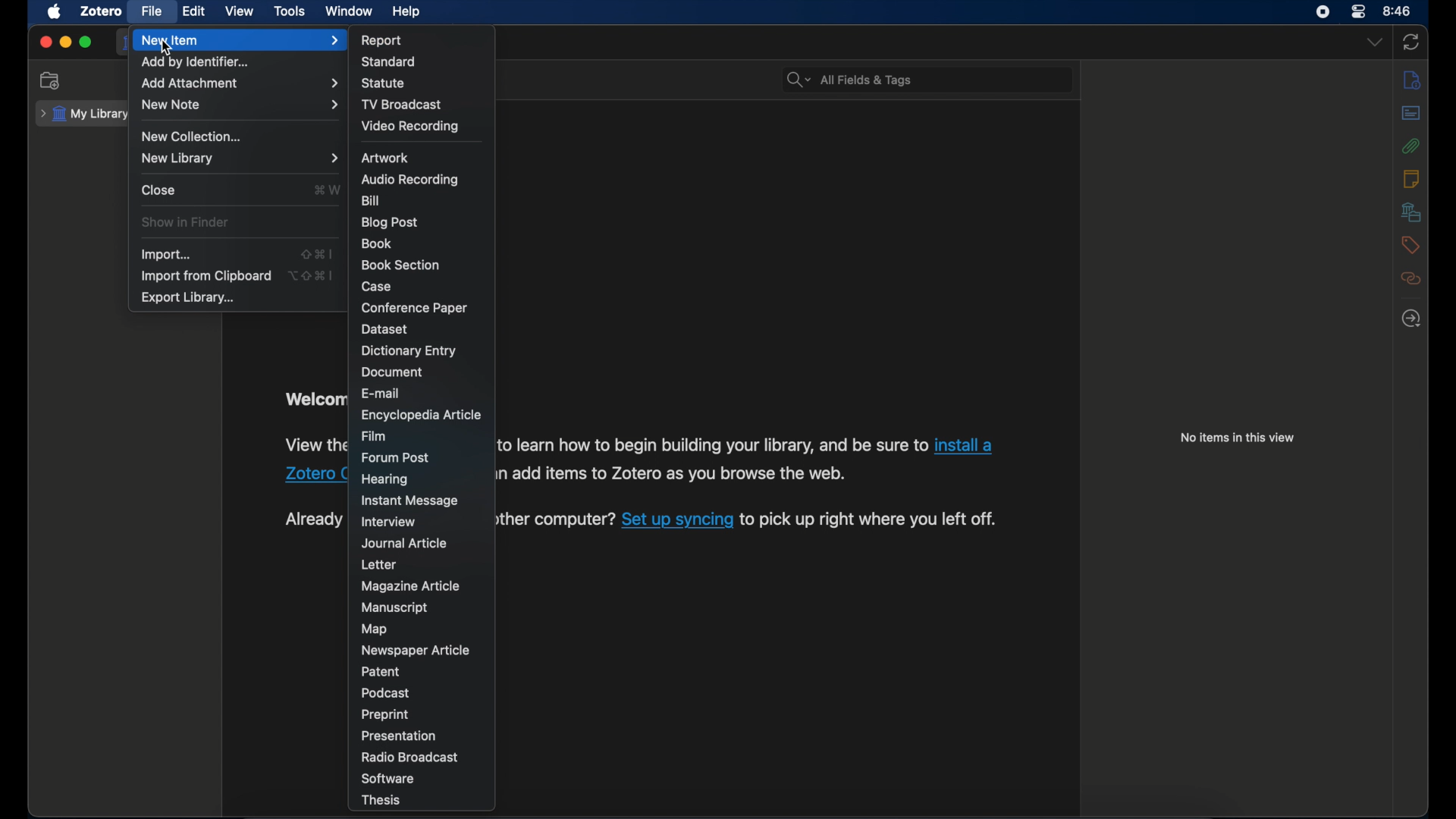  Describe the element at coordinates (385, 672) in the screenshot. I see `patent` at that location.